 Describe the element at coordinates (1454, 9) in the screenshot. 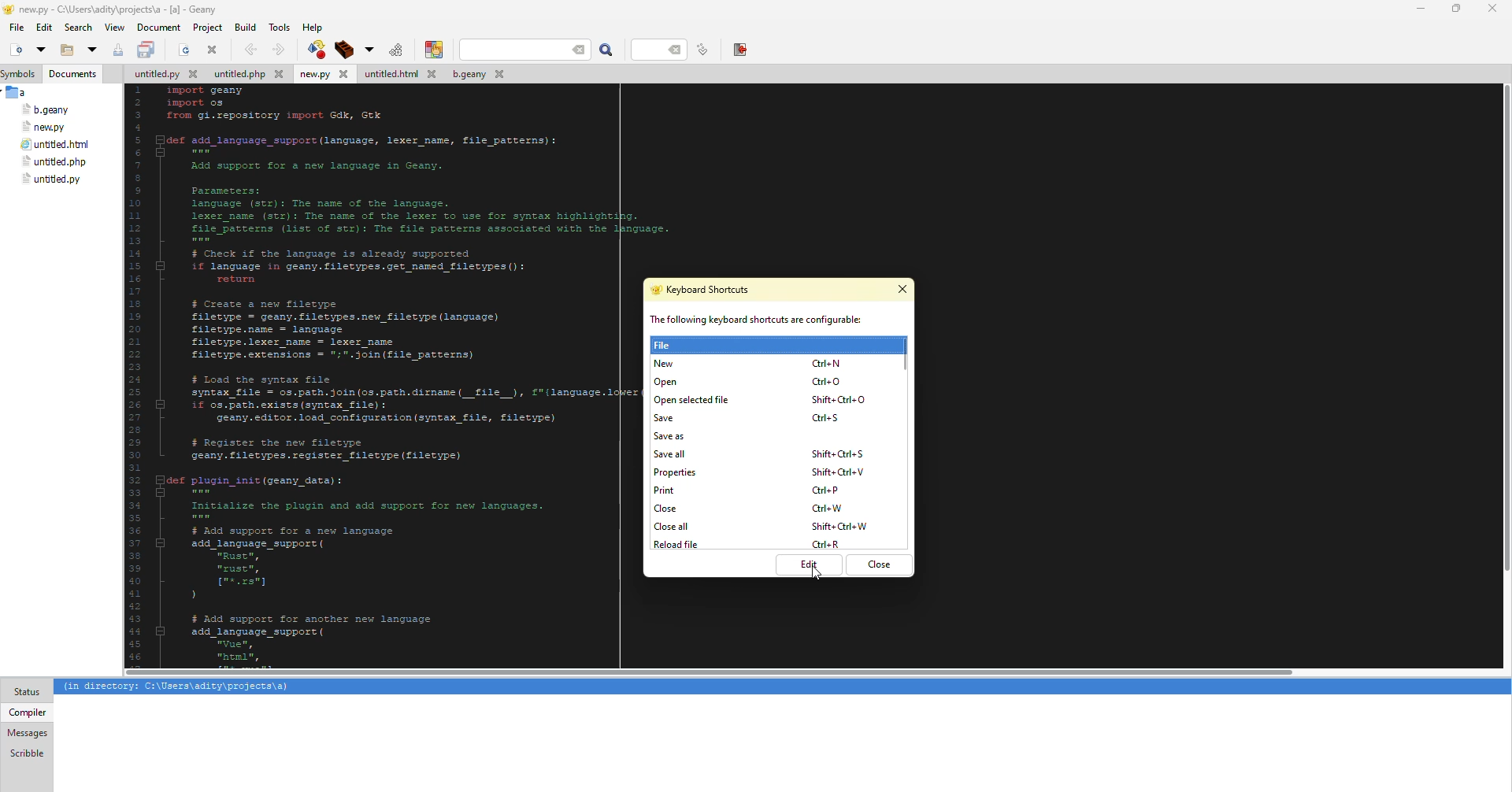

I see `maximize` at that location.